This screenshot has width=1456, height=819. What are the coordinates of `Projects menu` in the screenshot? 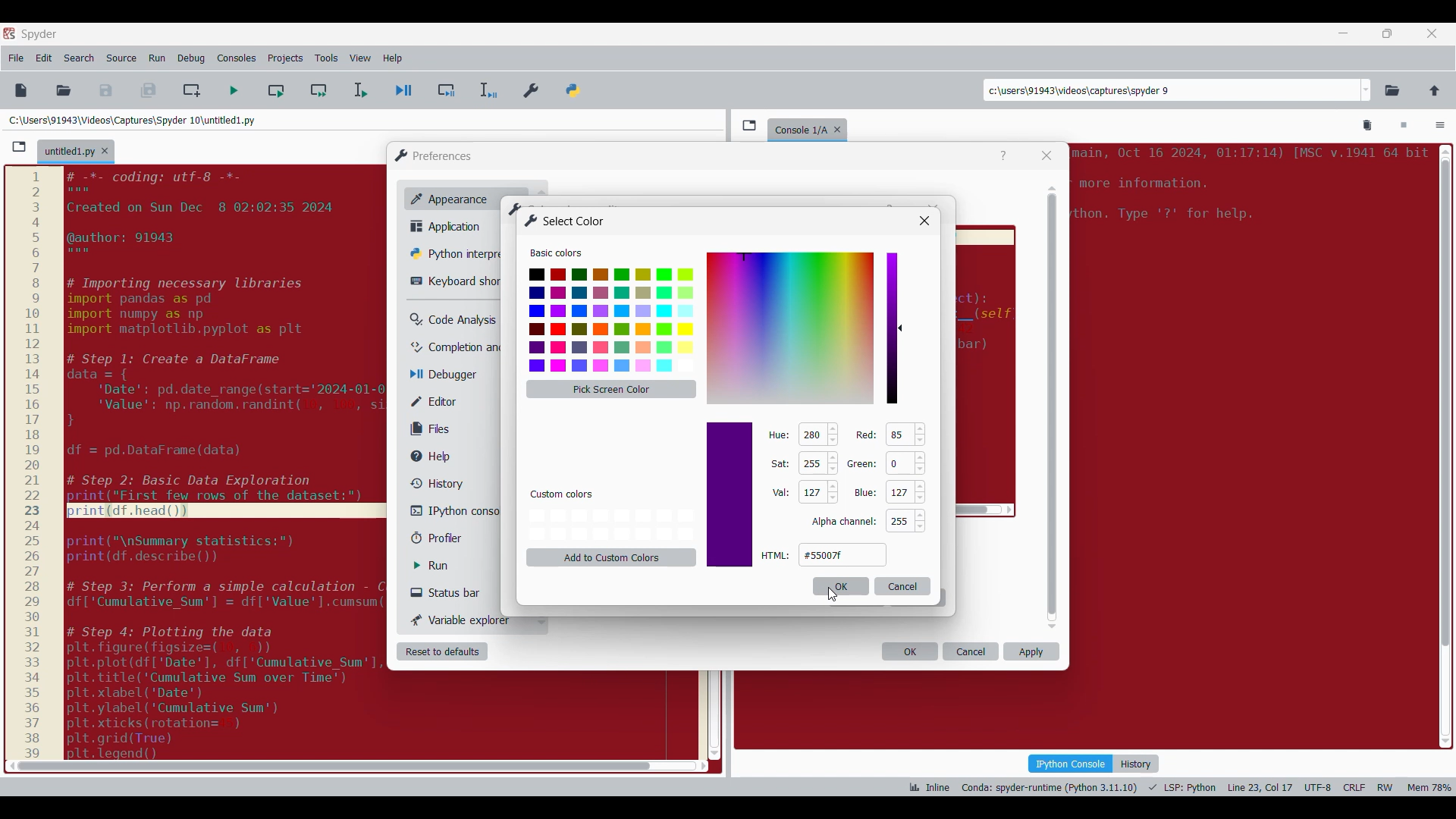 It's located at (285, 58).